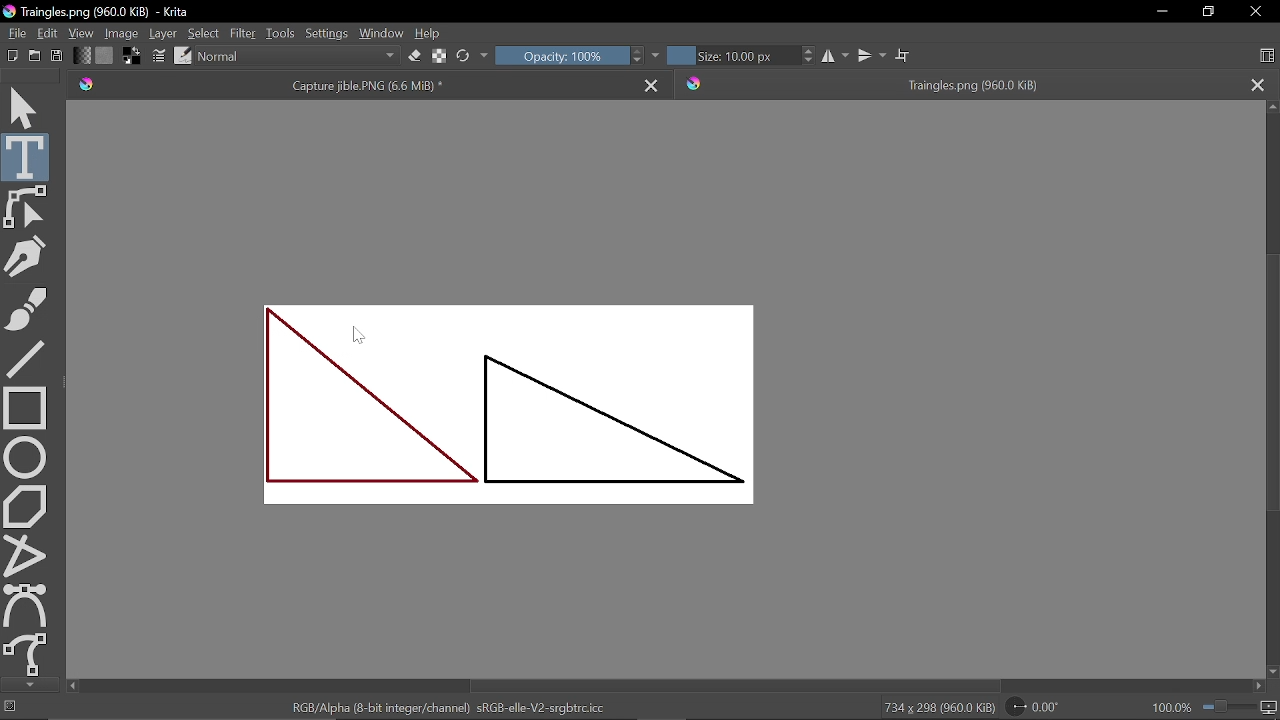  What do you see at coordinates (27, 605) in the screenshot?
I see `Bezier curve tool` at bounding box center [27, 605].